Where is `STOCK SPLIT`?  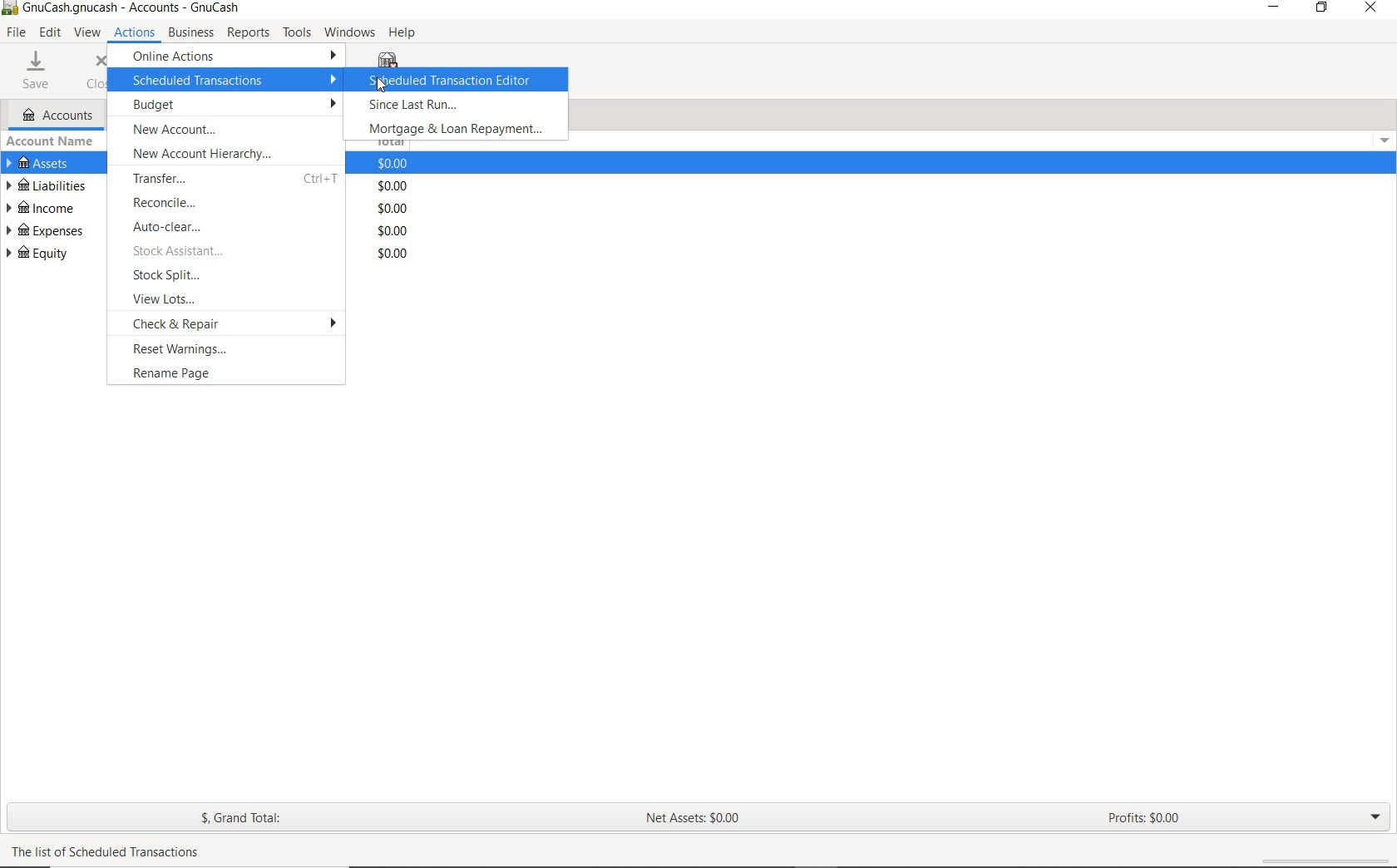 STOCK SPLIT is located at coordinates (230, 277).